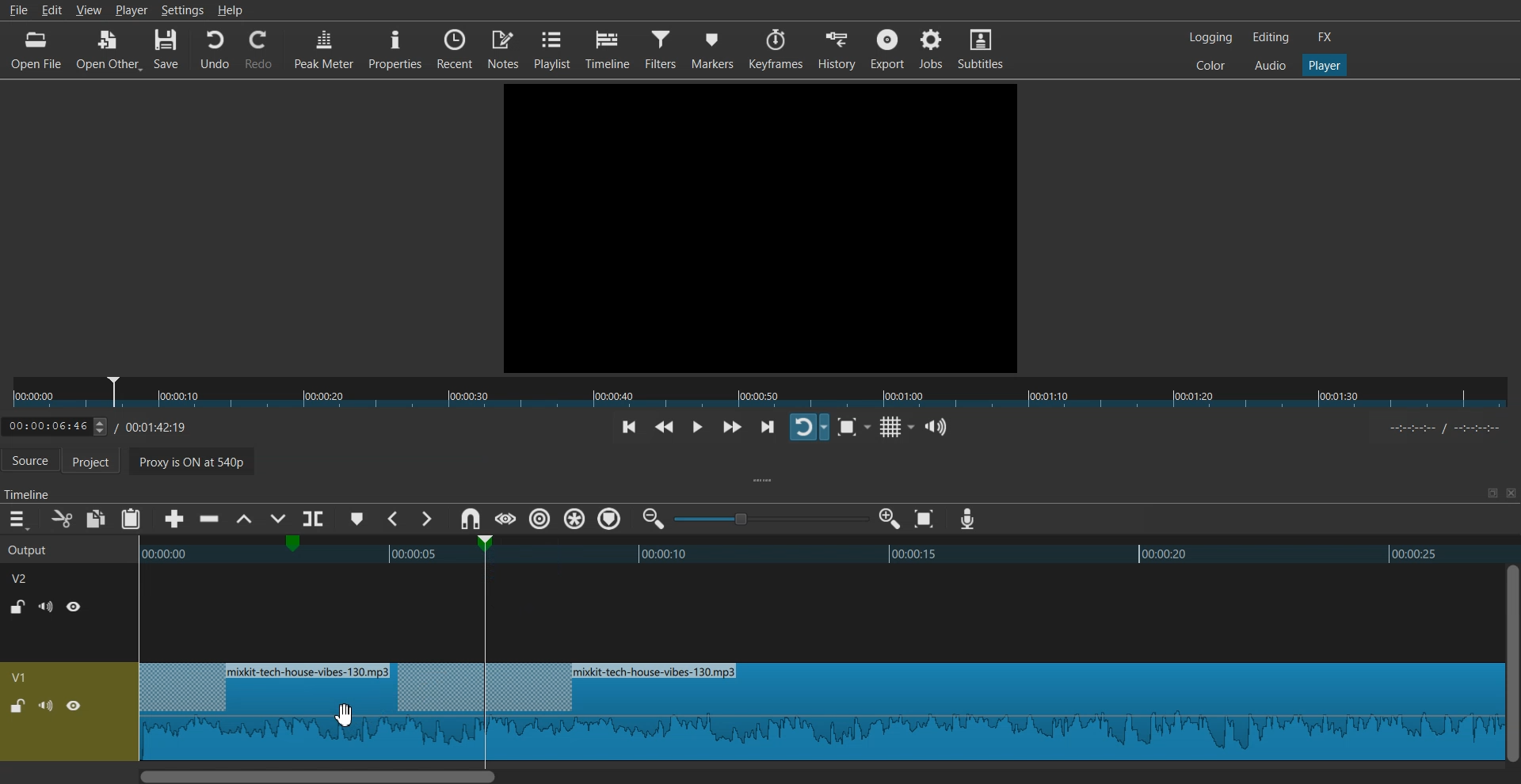 Image resolution: width=1521 pixels, height=784 pixels. What do you see at coordinates (28, 577) in the screenshot?
I see `V2` at bounding box center [28, 577].